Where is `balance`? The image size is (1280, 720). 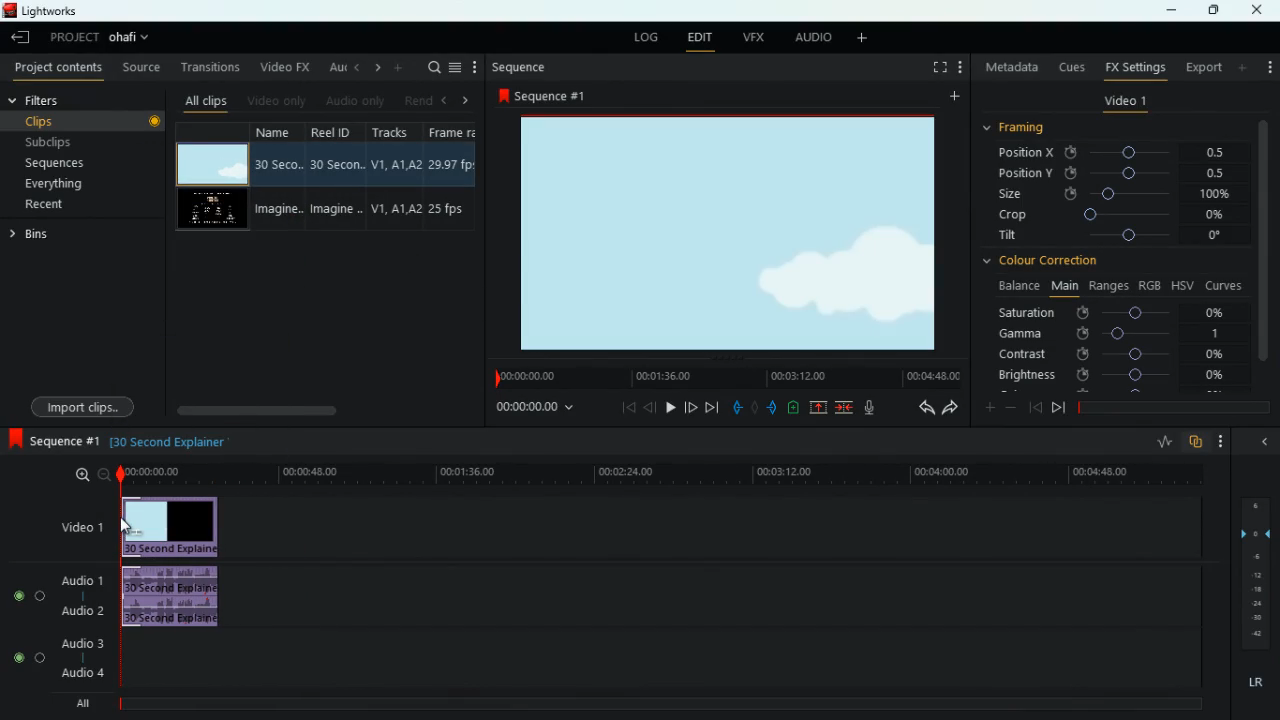
balance is located at coordinates (1014, 287).